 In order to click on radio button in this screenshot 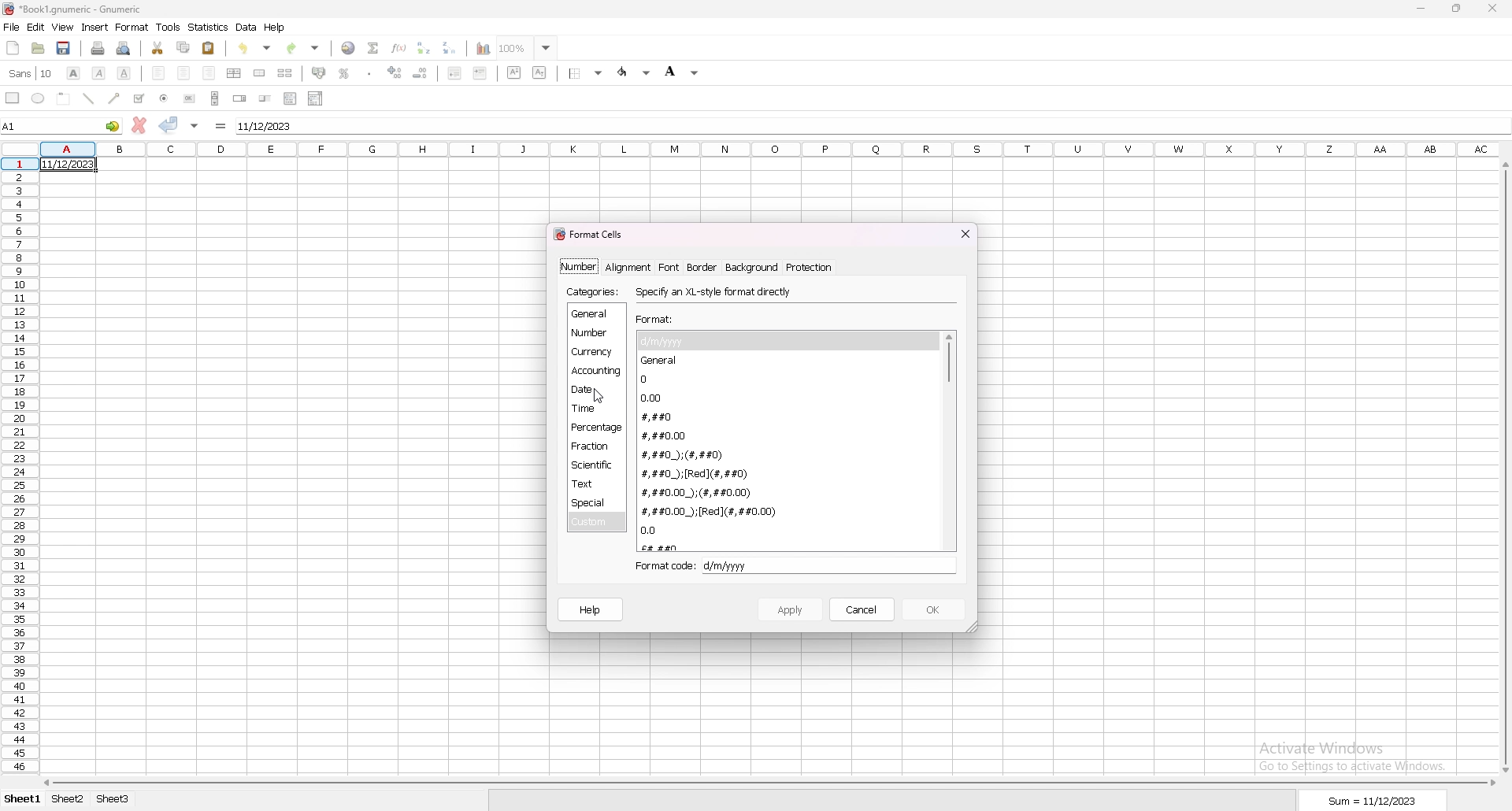, I will do `click(165, 98)`.